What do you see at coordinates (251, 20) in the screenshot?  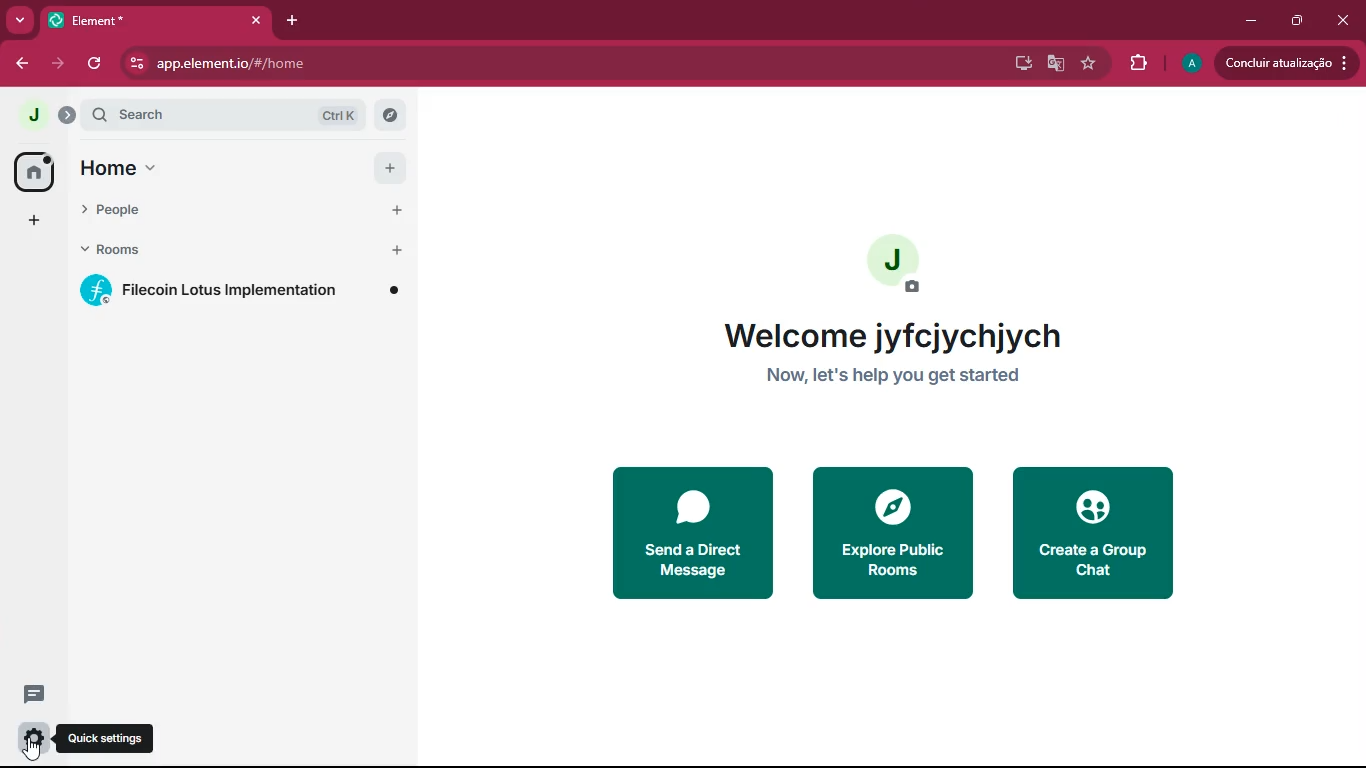 I see `close` at bounding box center [251, 20].